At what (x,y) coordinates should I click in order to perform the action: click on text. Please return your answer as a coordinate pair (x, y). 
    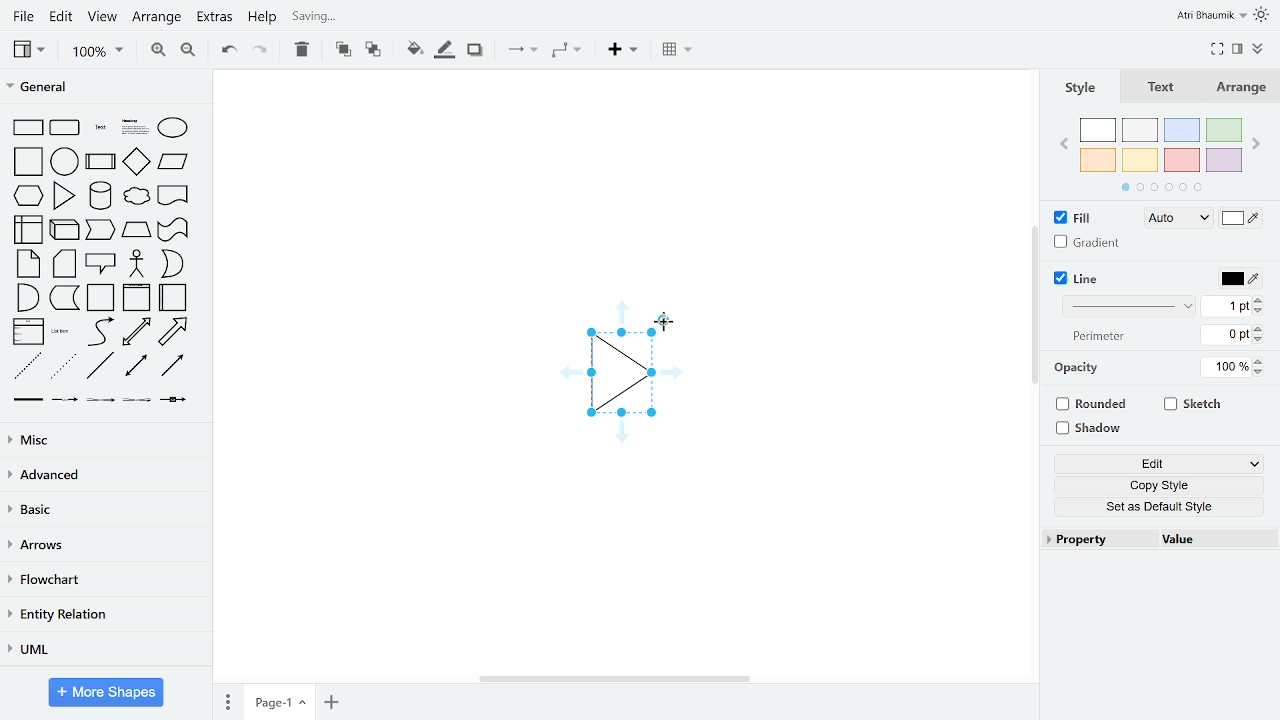
    Looking at the image, I should click on (1162, 87).